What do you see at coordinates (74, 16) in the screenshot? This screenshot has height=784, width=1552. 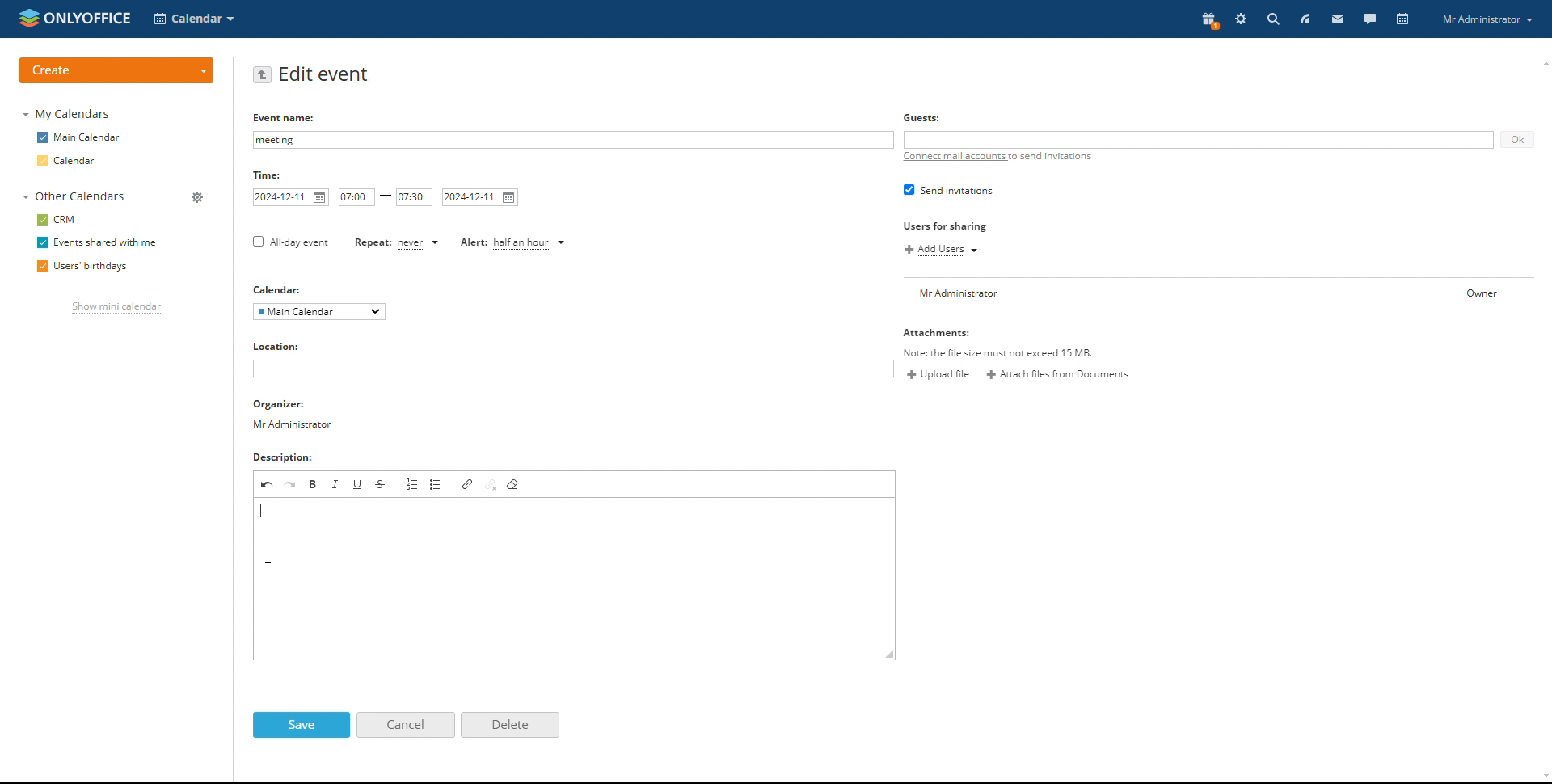 I see `logo` at bounding box center [74, 16].